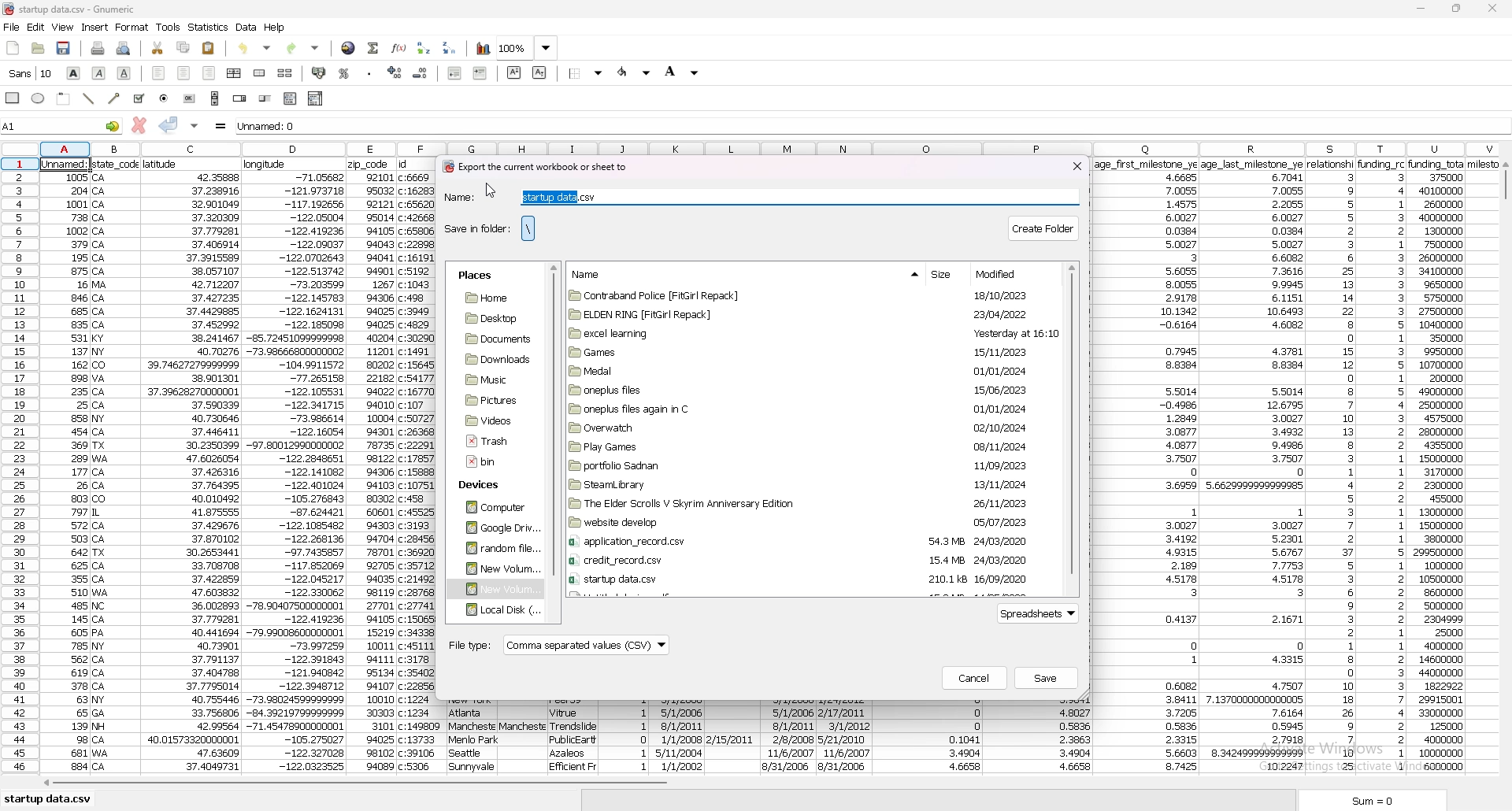 This screenshot has width=1512, height=811. What do you see at coordinates (318, 72) in the screenshot?
I see `accounting` at bounding box center [318, 72].